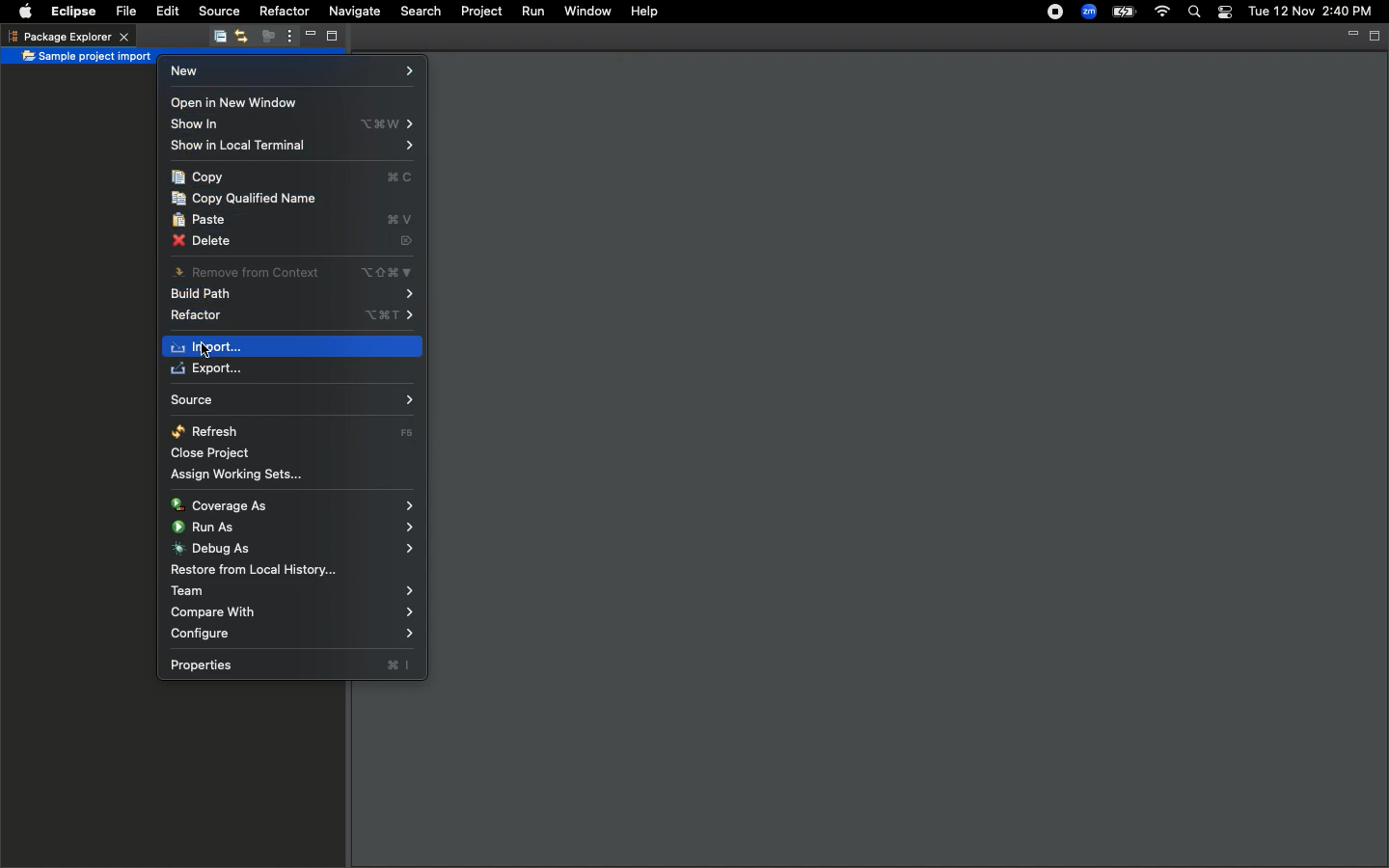  Describe the element at coordinates (291, 294) in the screenshot. I see `Build  path` at that location.